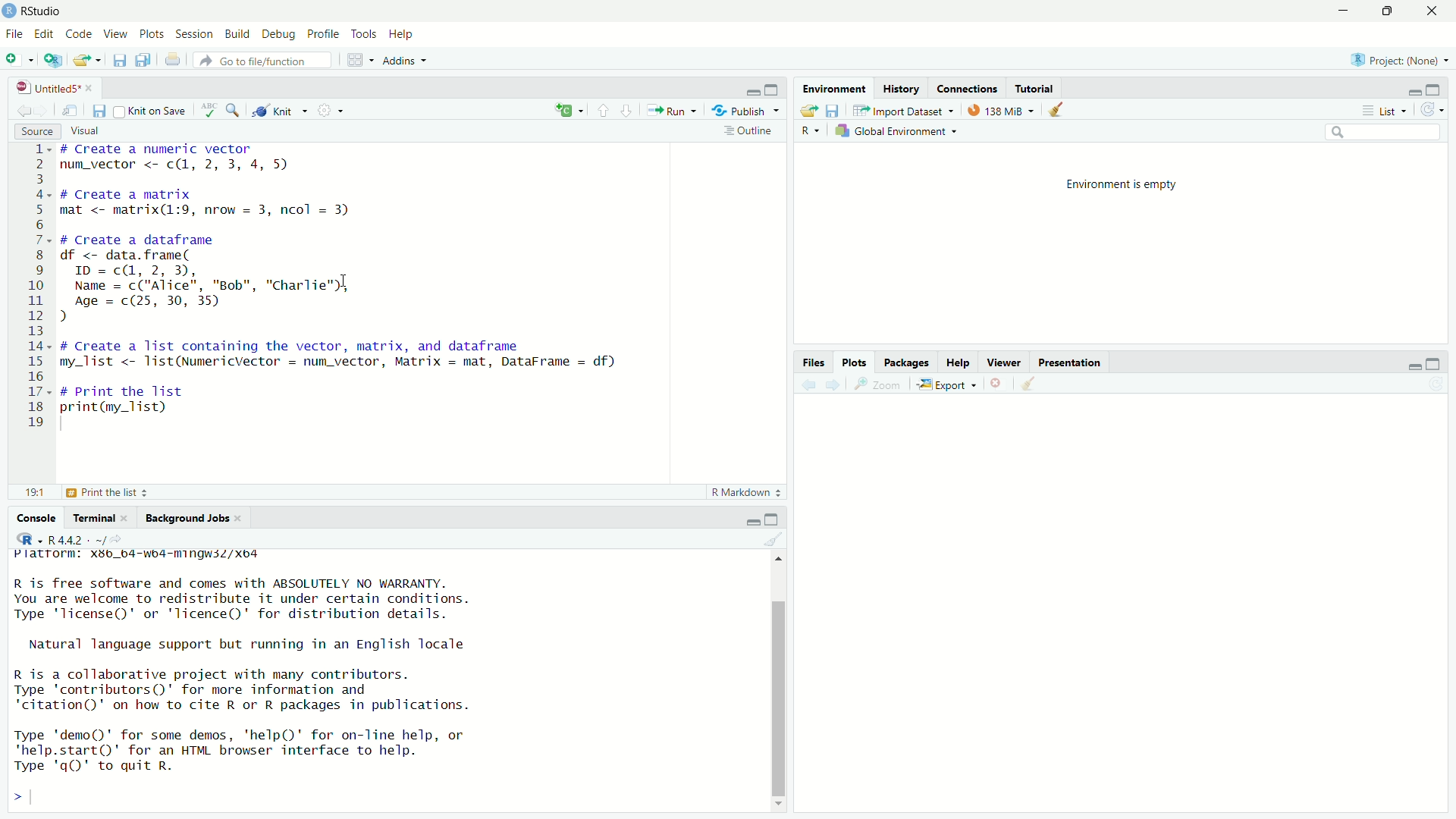 The height and width of the screenshot is (819, 1456). I want to click on R Markdown +, so click(750, 494).